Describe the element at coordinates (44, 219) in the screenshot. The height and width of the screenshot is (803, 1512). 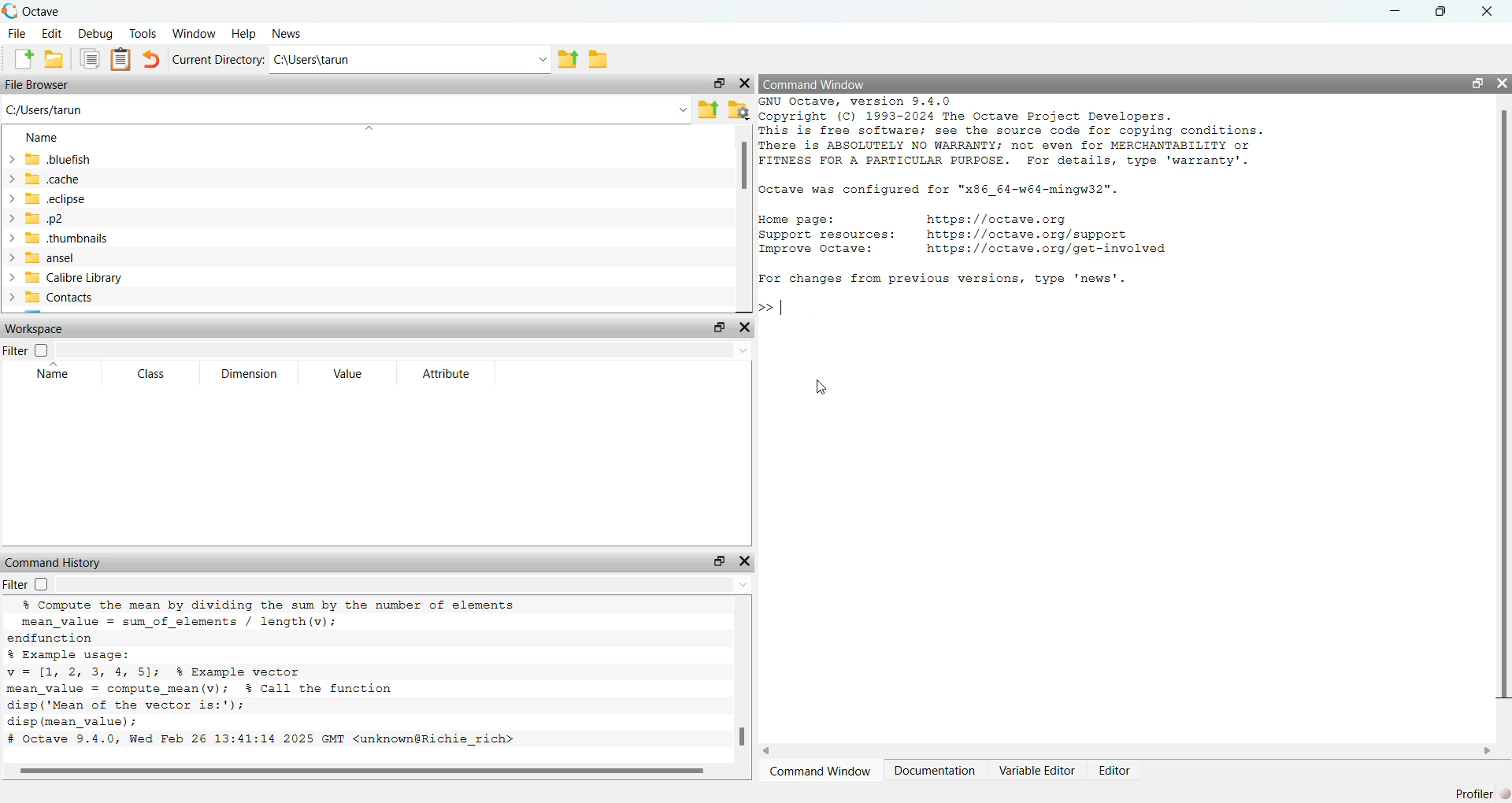
I see `.p2` at that location.